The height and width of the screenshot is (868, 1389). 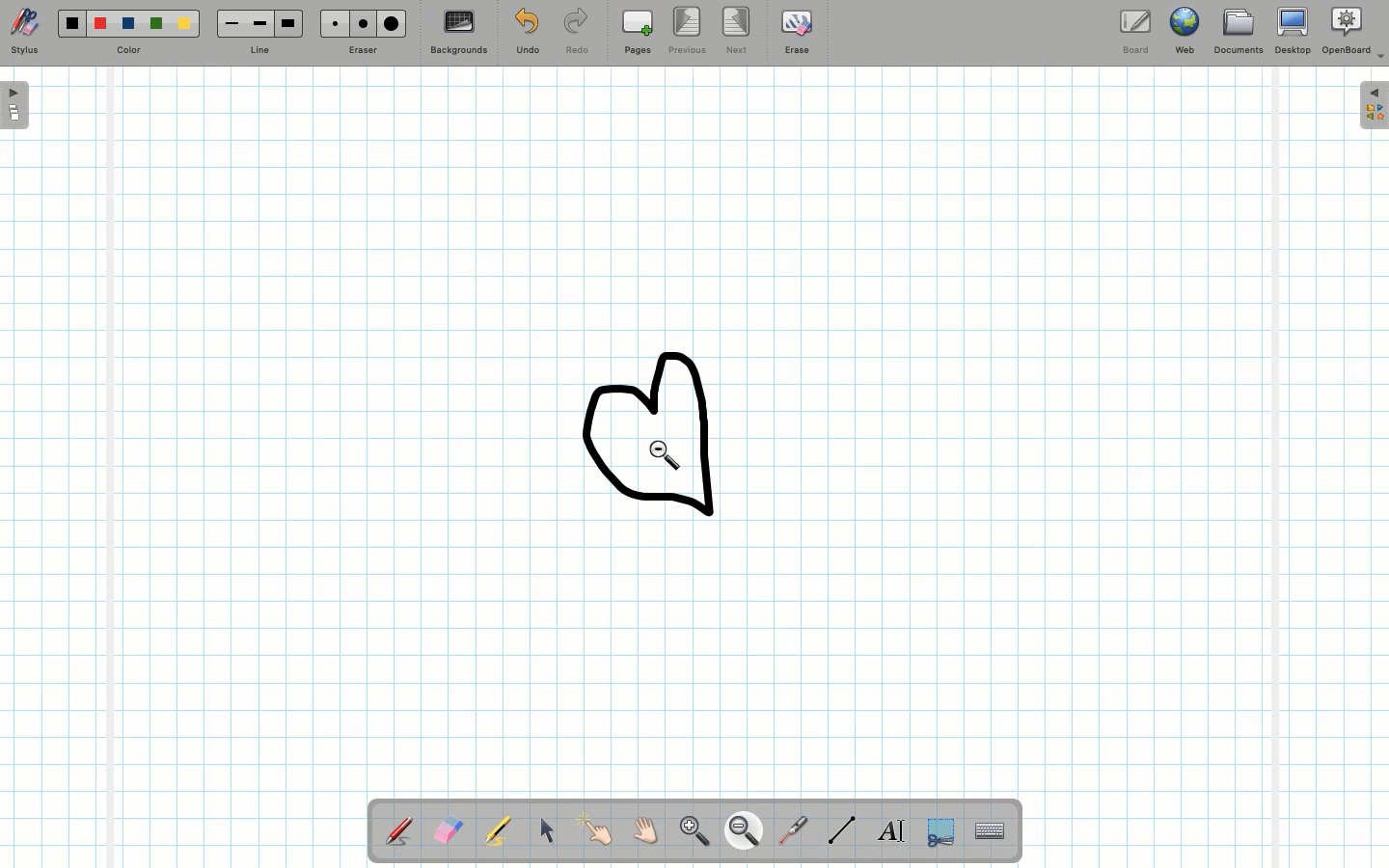 What do you see at coordinates (498, 832) in the screenshot?
I see `Highlighter` at bounding box center [498, 832].